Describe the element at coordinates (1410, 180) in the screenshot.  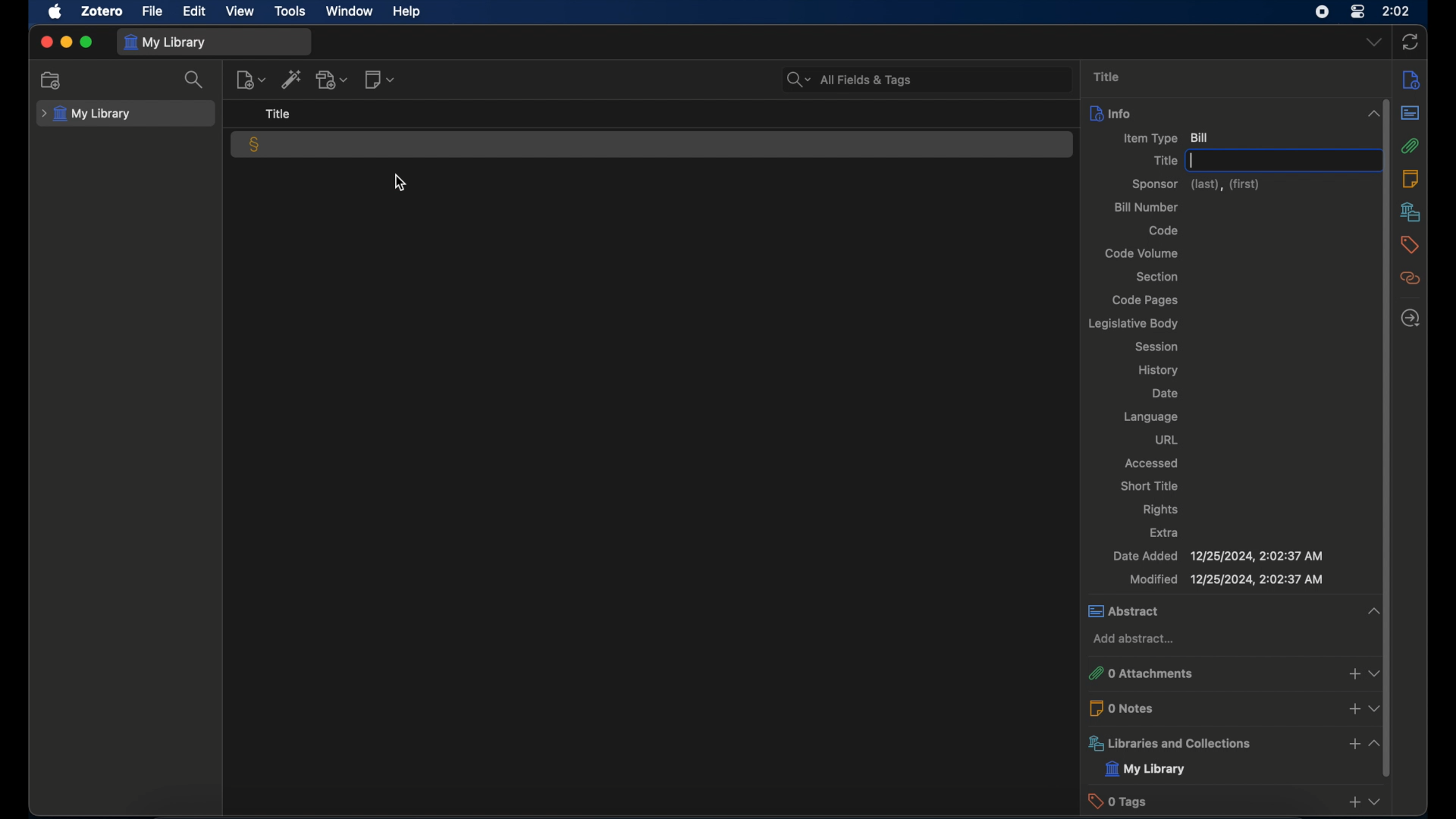
I see `notes` at that location.